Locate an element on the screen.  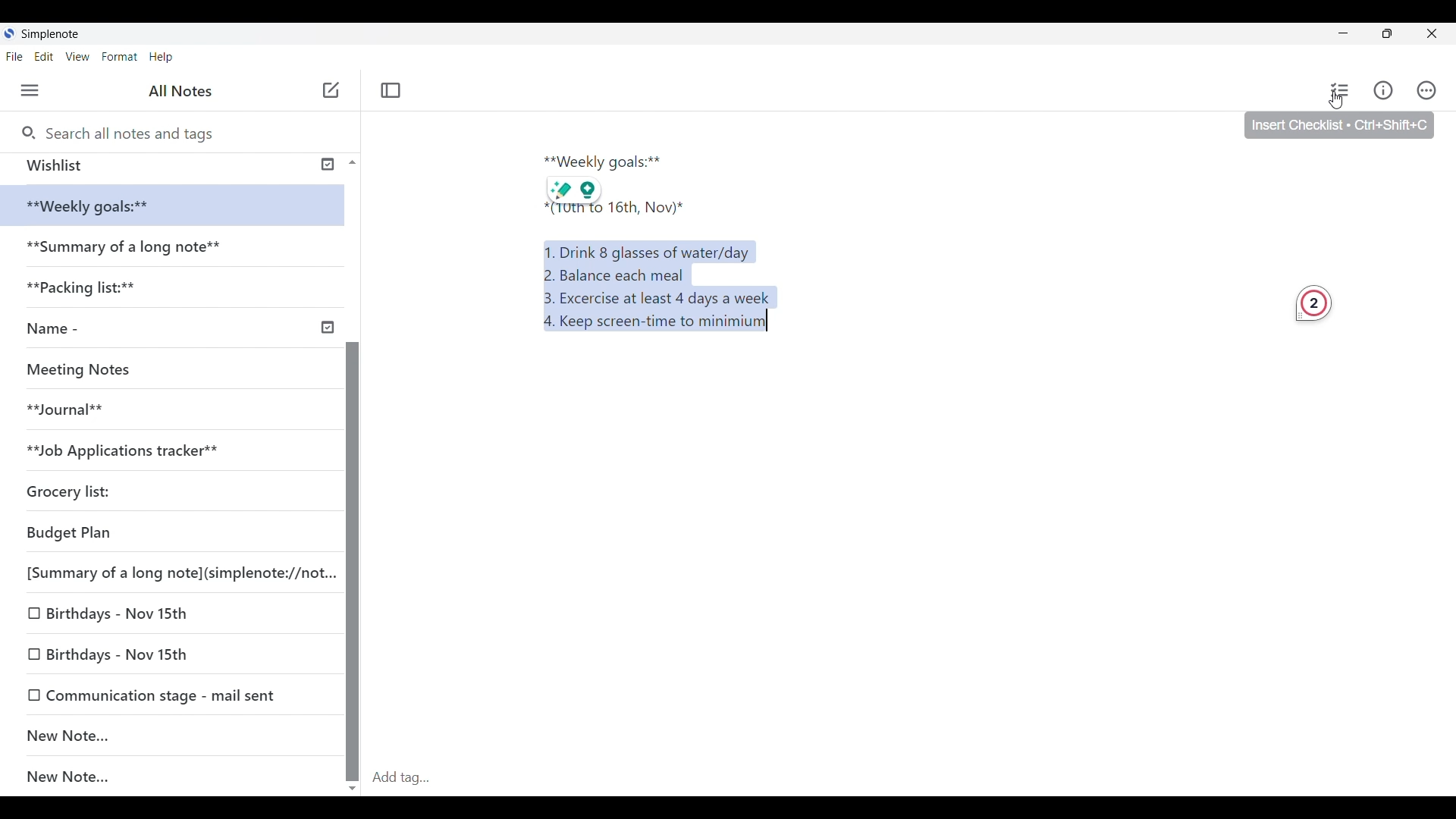
Add tag is located at coordinates (910, 777).